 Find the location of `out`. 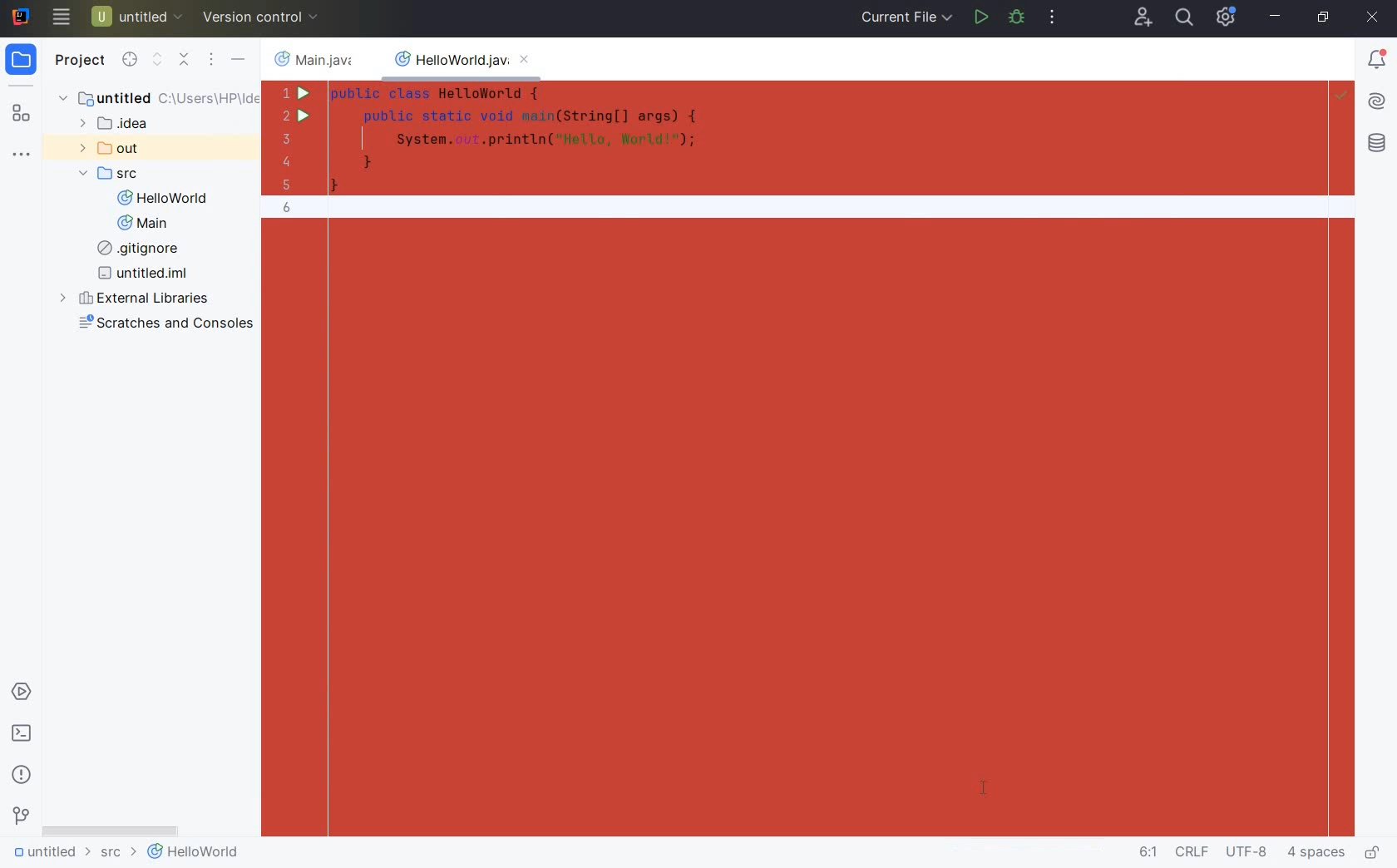

out is located at coordinates (109, 148).